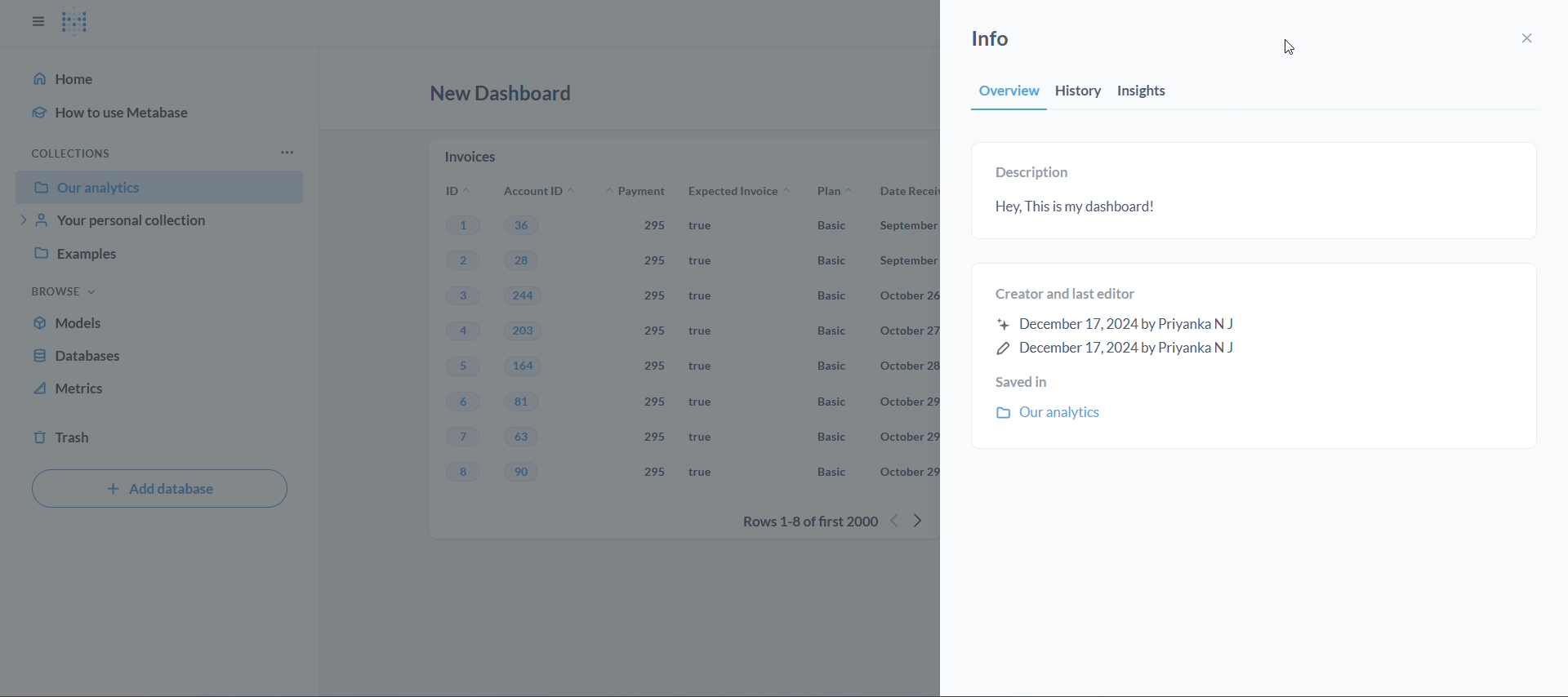 This screenshot has width=1568, height=697. I want to click on 1, so click(462, 224).